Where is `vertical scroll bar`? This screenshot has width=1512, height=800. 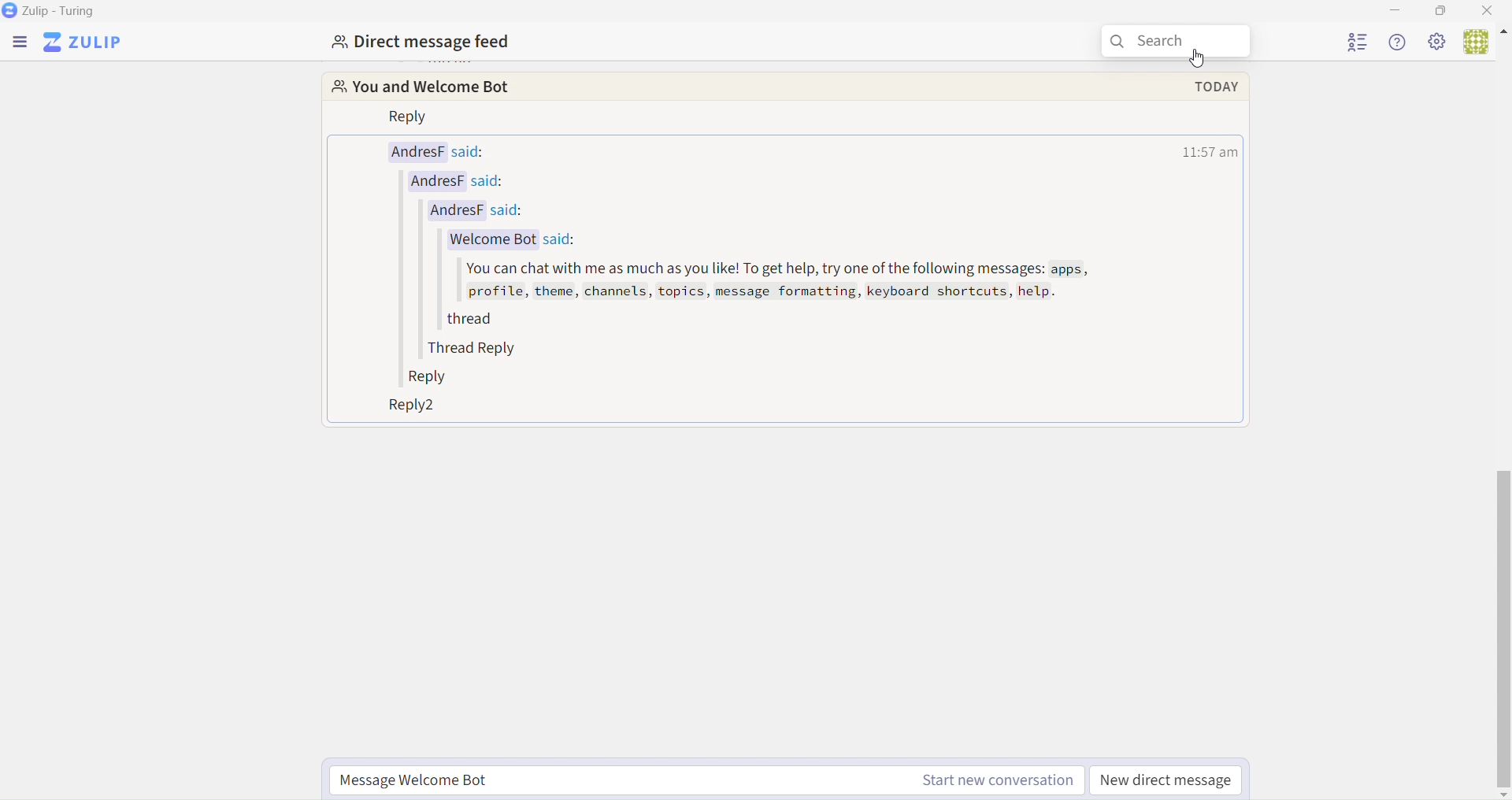
vertical scroll bar is located at coordinates (1501, 632).